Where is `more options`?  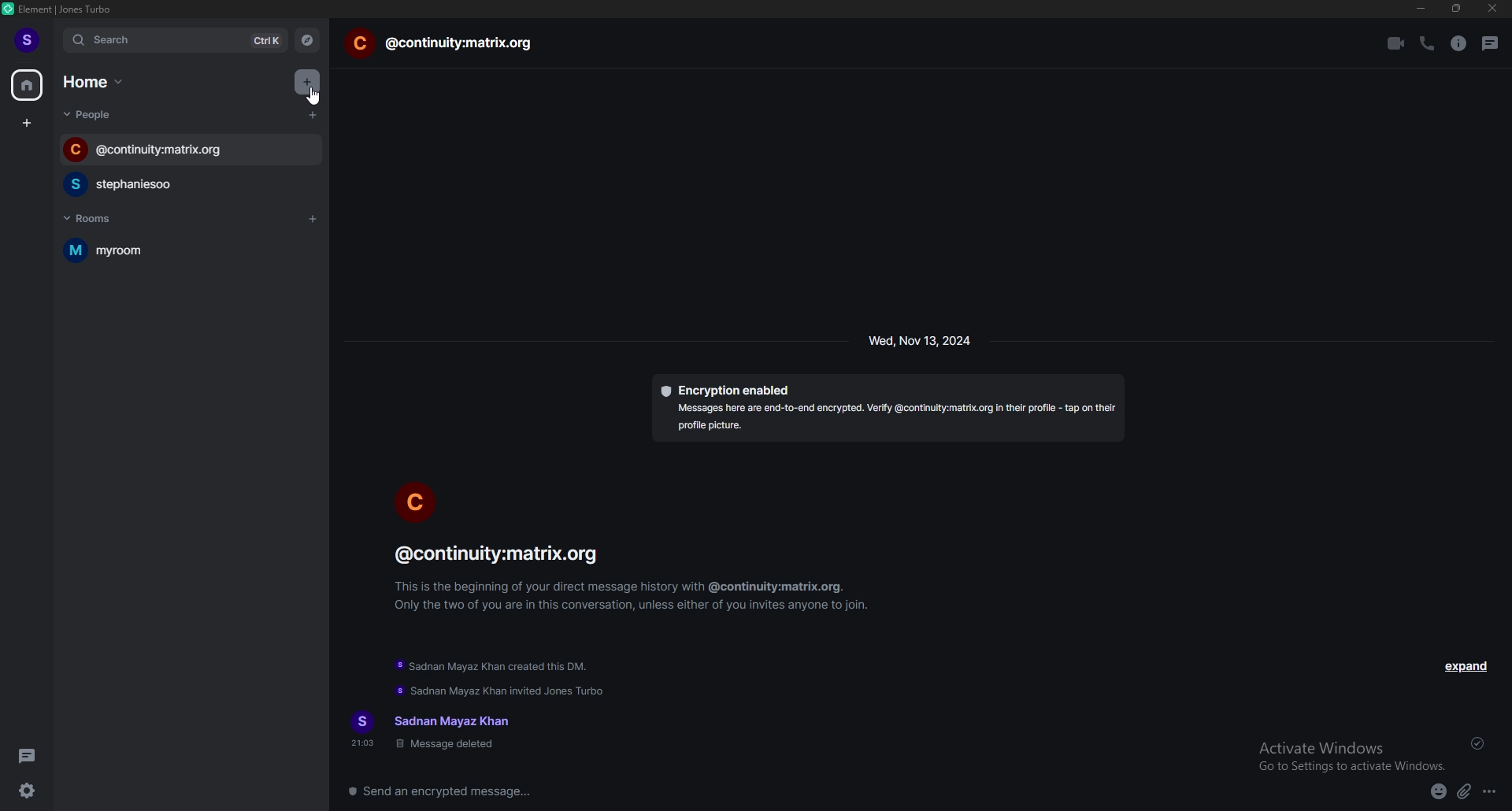 more options is located at coordinates (1491, 793).